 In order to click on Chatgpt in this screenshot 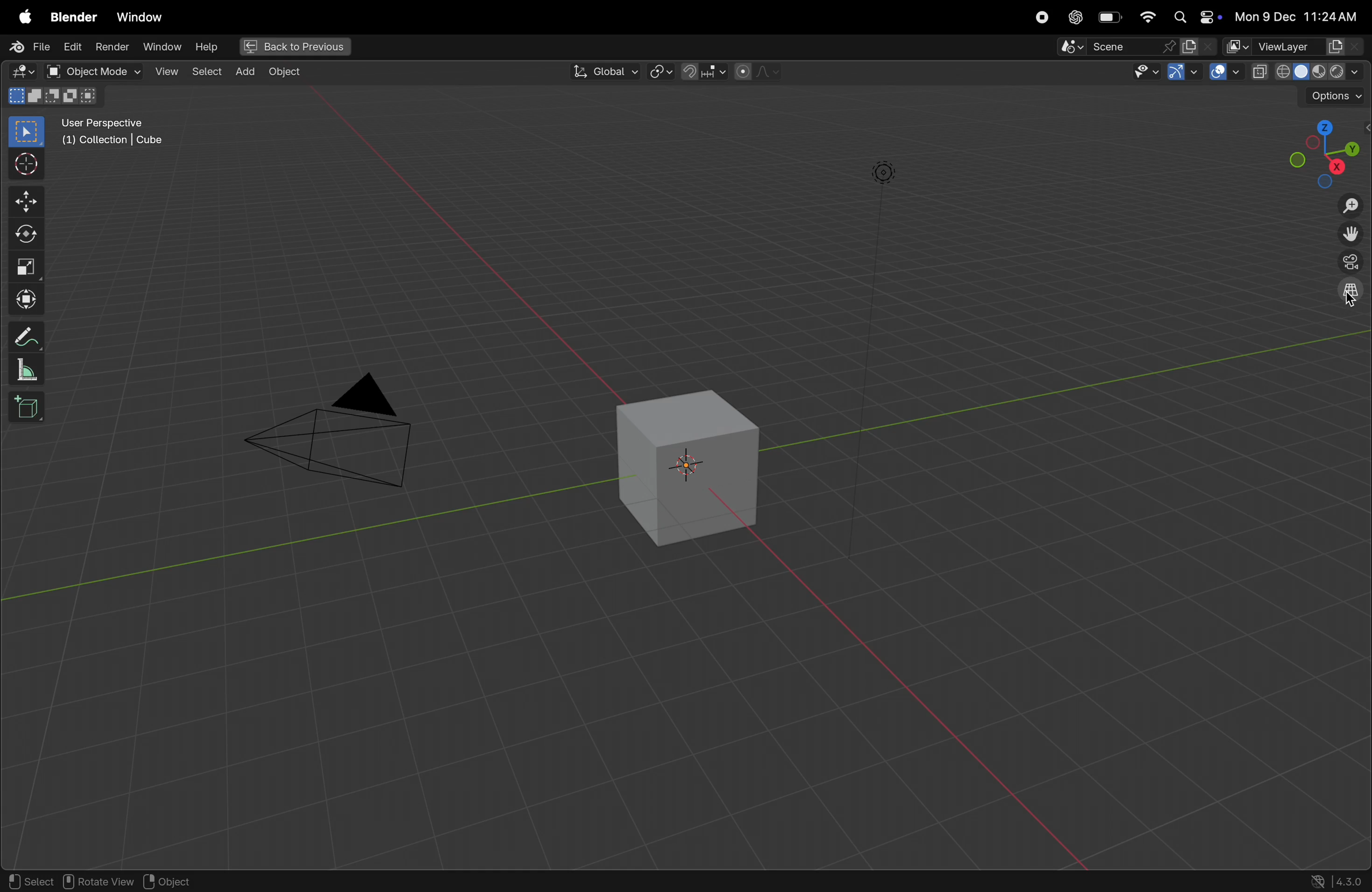, I will do `click(1076, 17)`.